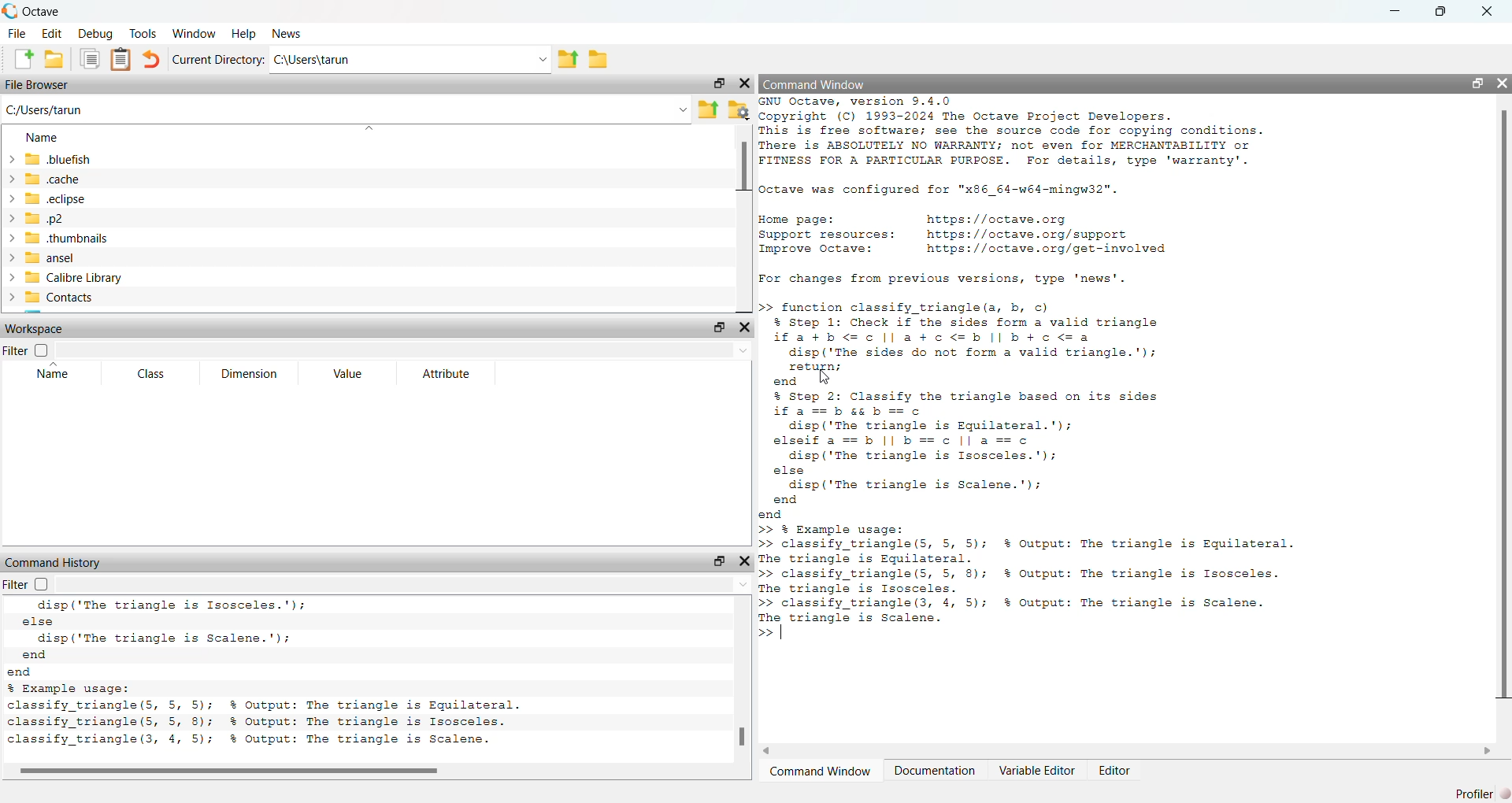 The height and width of the screenshot is (803, 1512). I want to click on filter input field, so click(411, 585).